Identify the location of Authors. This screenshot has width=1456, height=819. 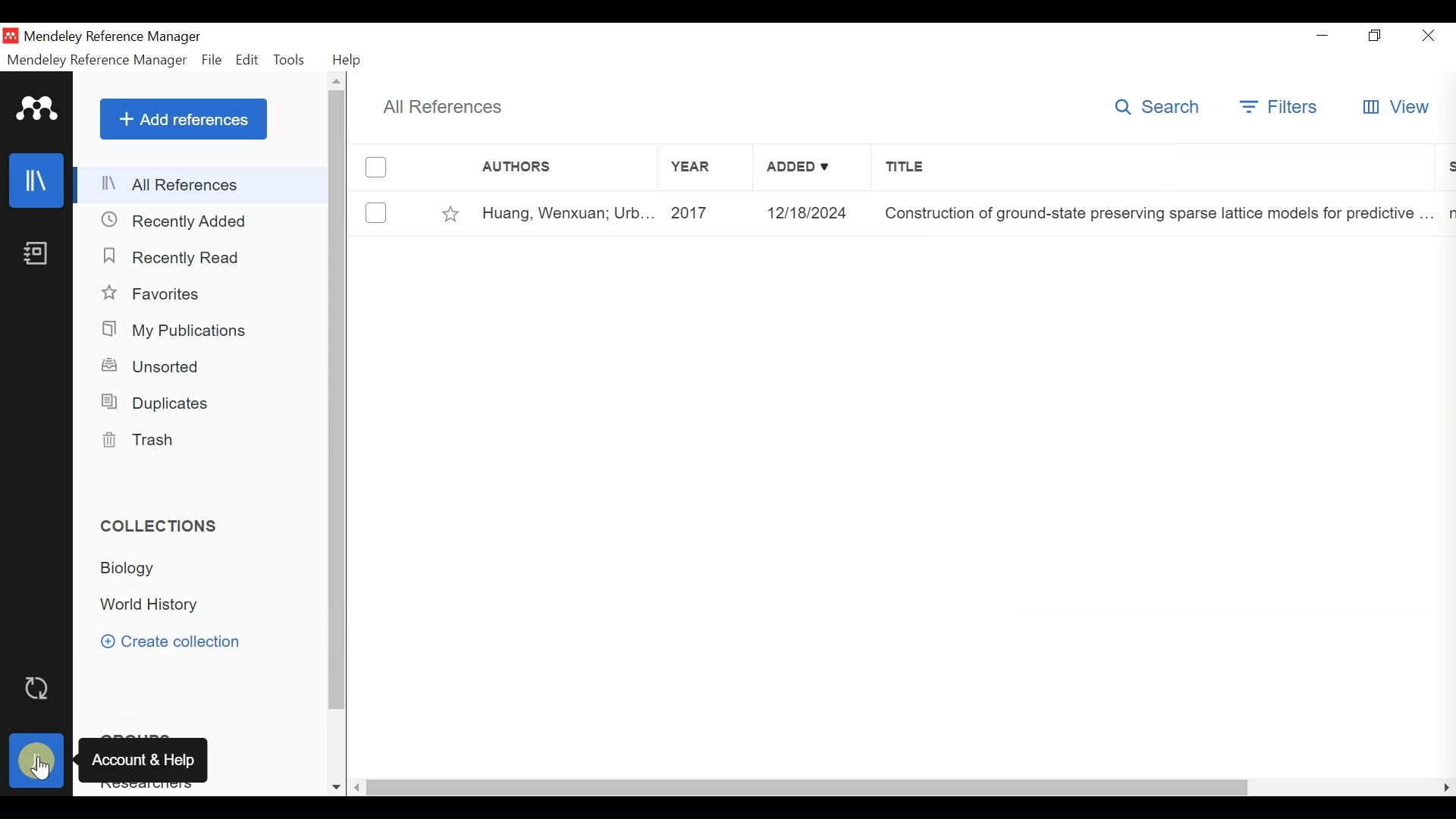
(557, 171).